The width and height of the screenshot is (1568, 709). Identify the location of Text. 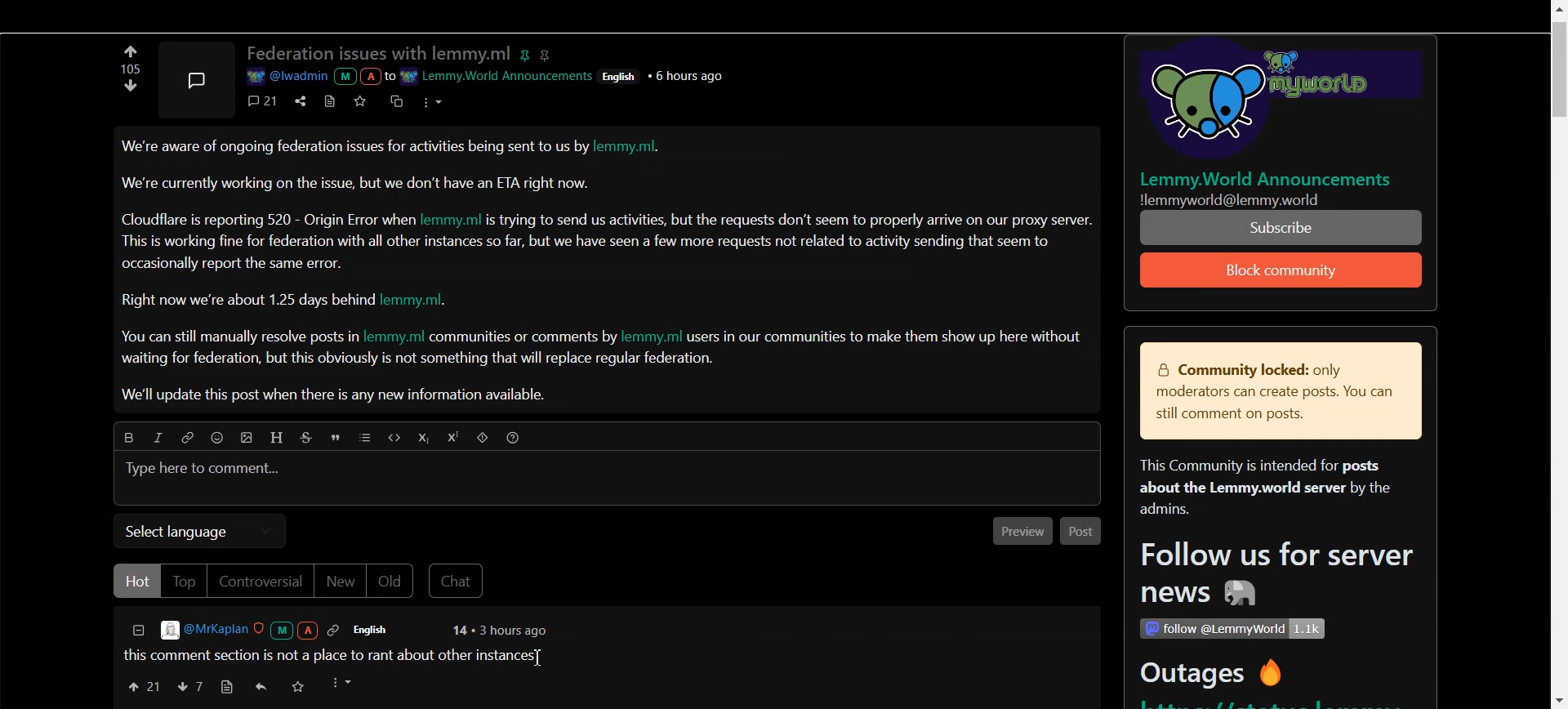
(127, 69).